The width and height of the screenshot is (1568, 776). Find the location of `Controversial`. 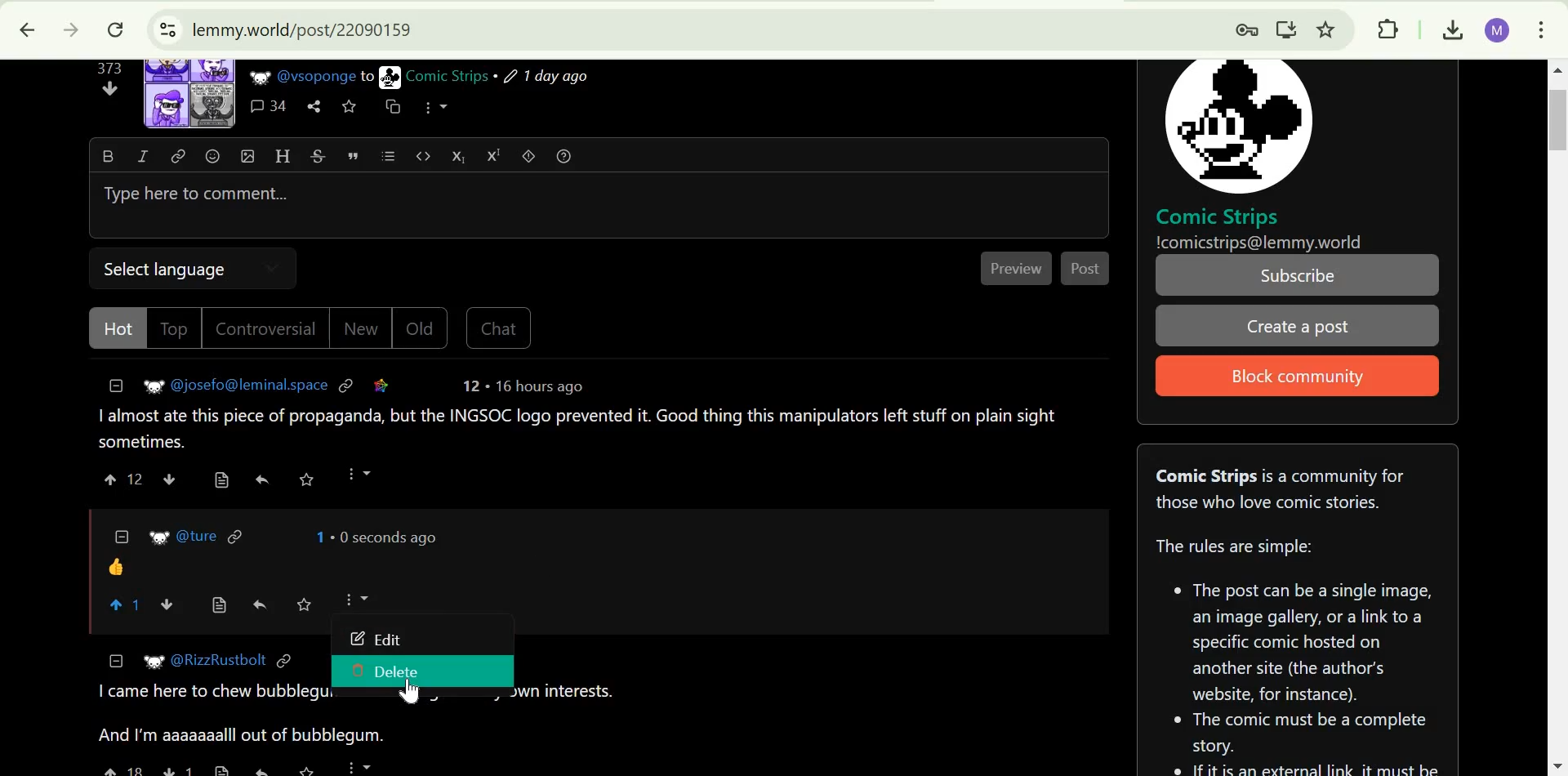

Controversial is located at coordinates (266, 328).